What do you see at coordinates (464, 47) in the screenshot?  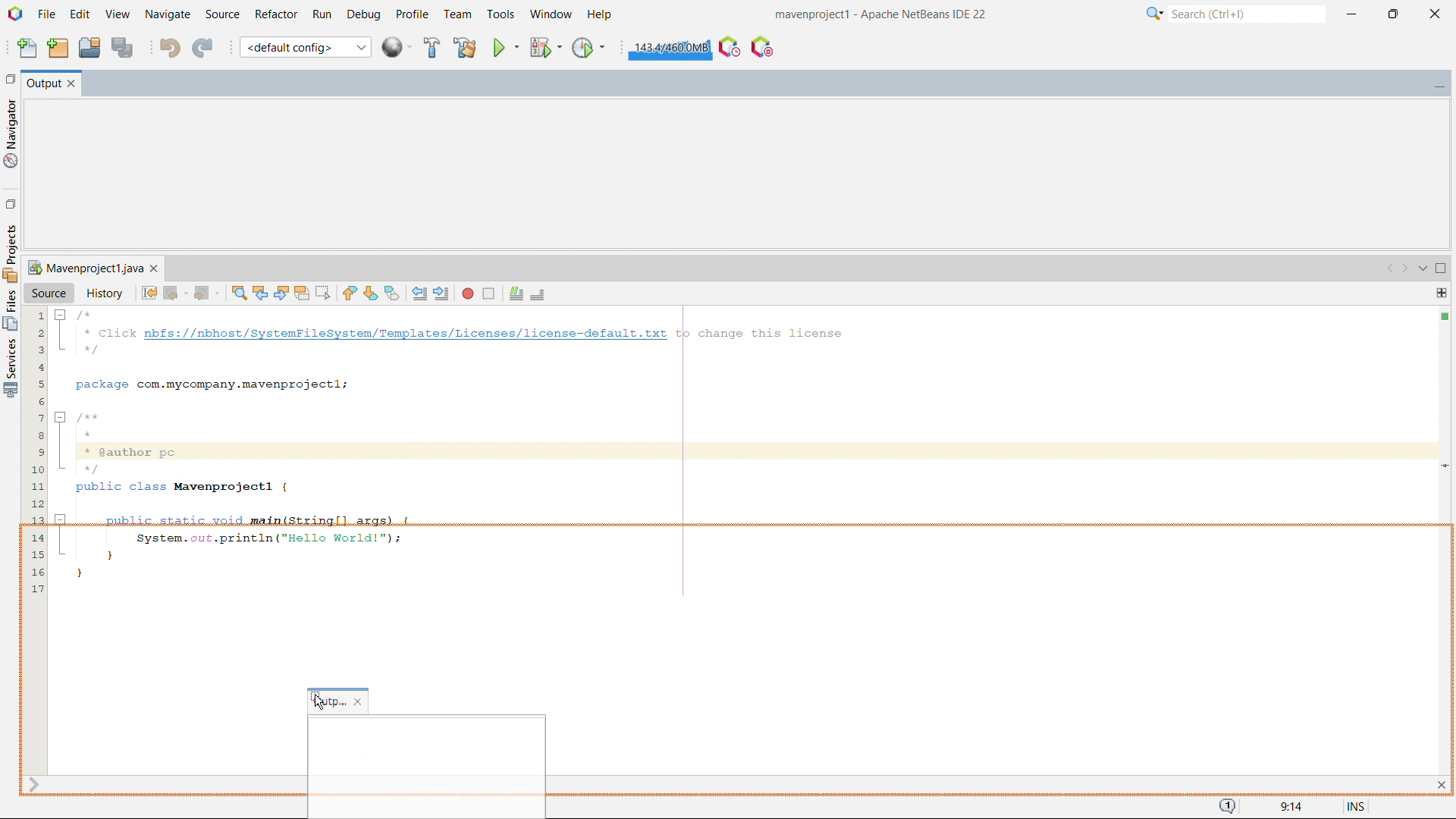 I see `clean and build project` at bounding box center [464, 47].